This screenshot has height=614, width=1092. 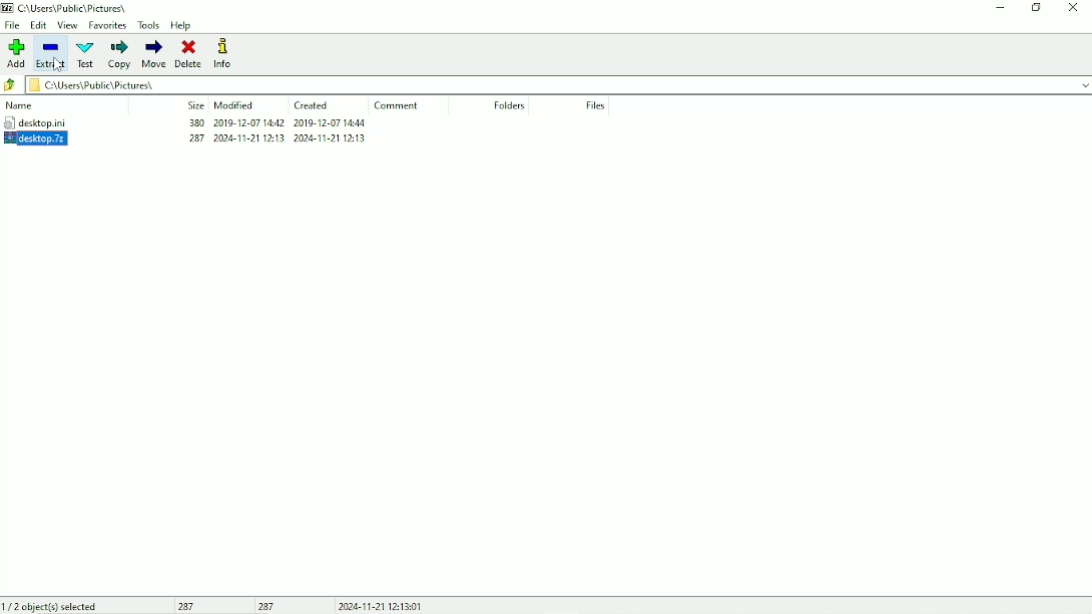 What do you see at coordinates (107, 26) in the screenshot?
I see `Favorites` at bounding box center [107, 26].